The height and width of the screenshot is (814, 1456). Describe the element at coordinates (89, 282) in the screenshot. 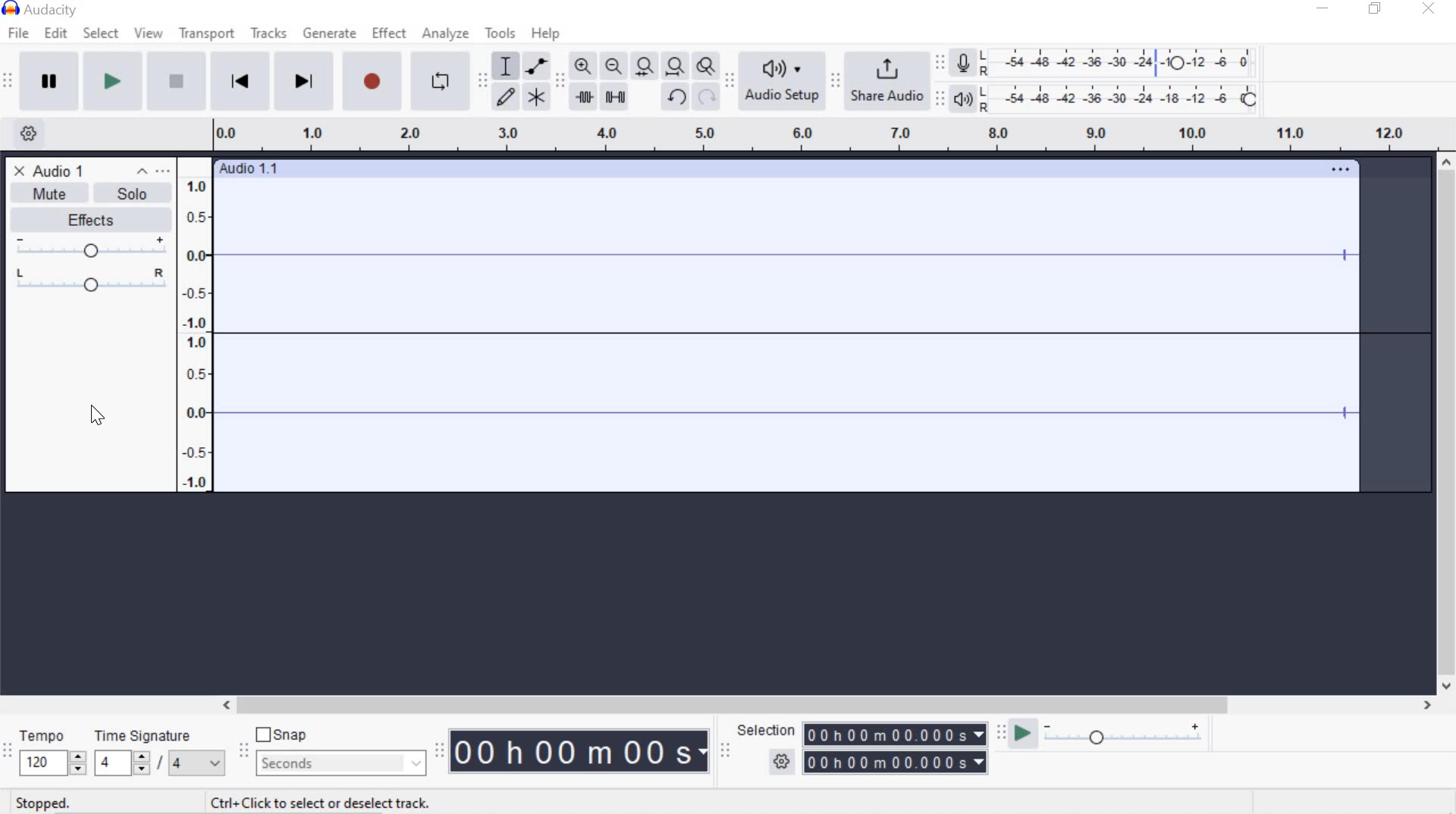

I see `Pan` at that location.